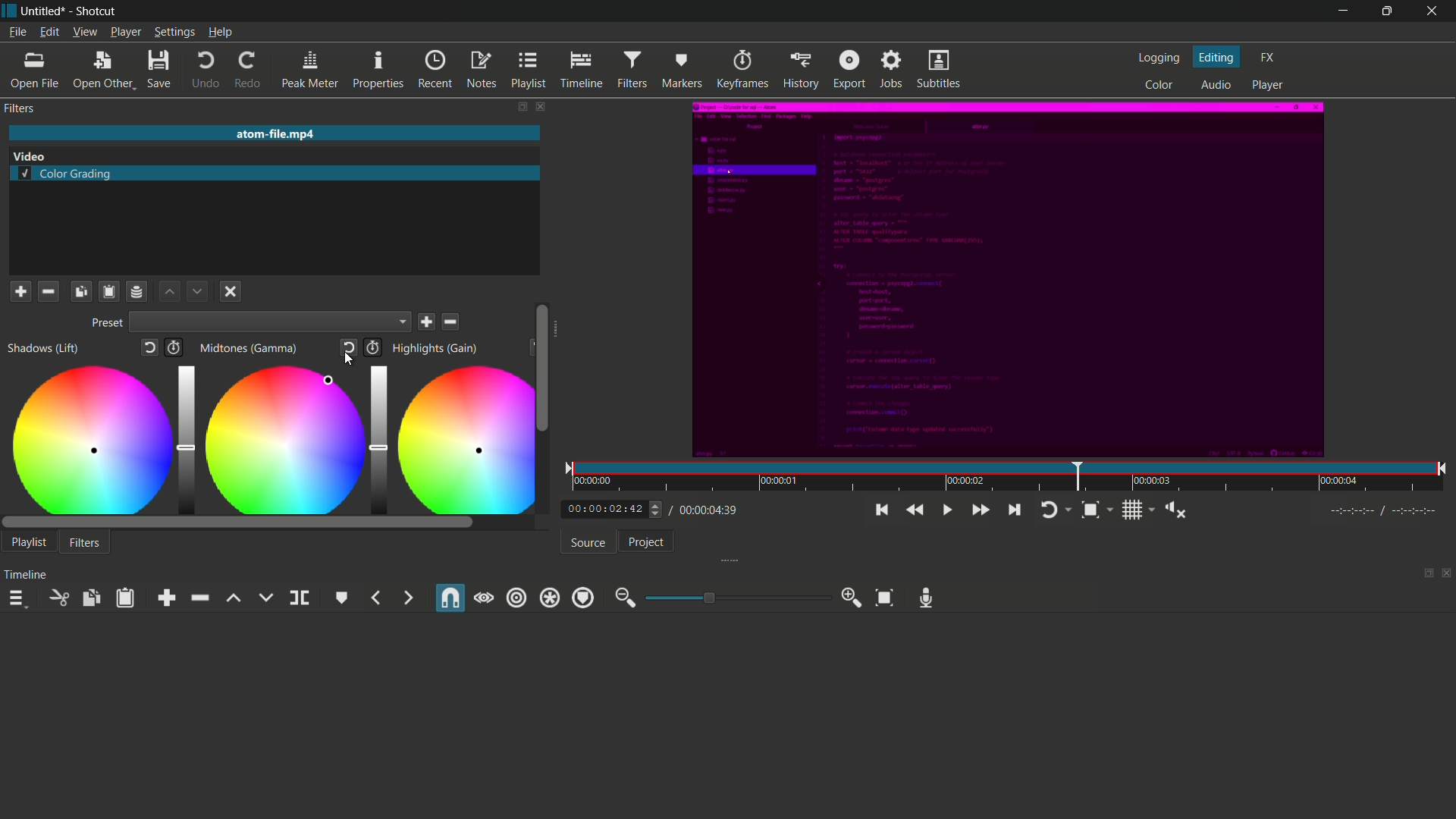 Image resolution: width=1456 pixels, height=819 pixels. What do you see at coordinates (377, 71) in the screenshot?
I see `properties` at bounding box center [377, 71].